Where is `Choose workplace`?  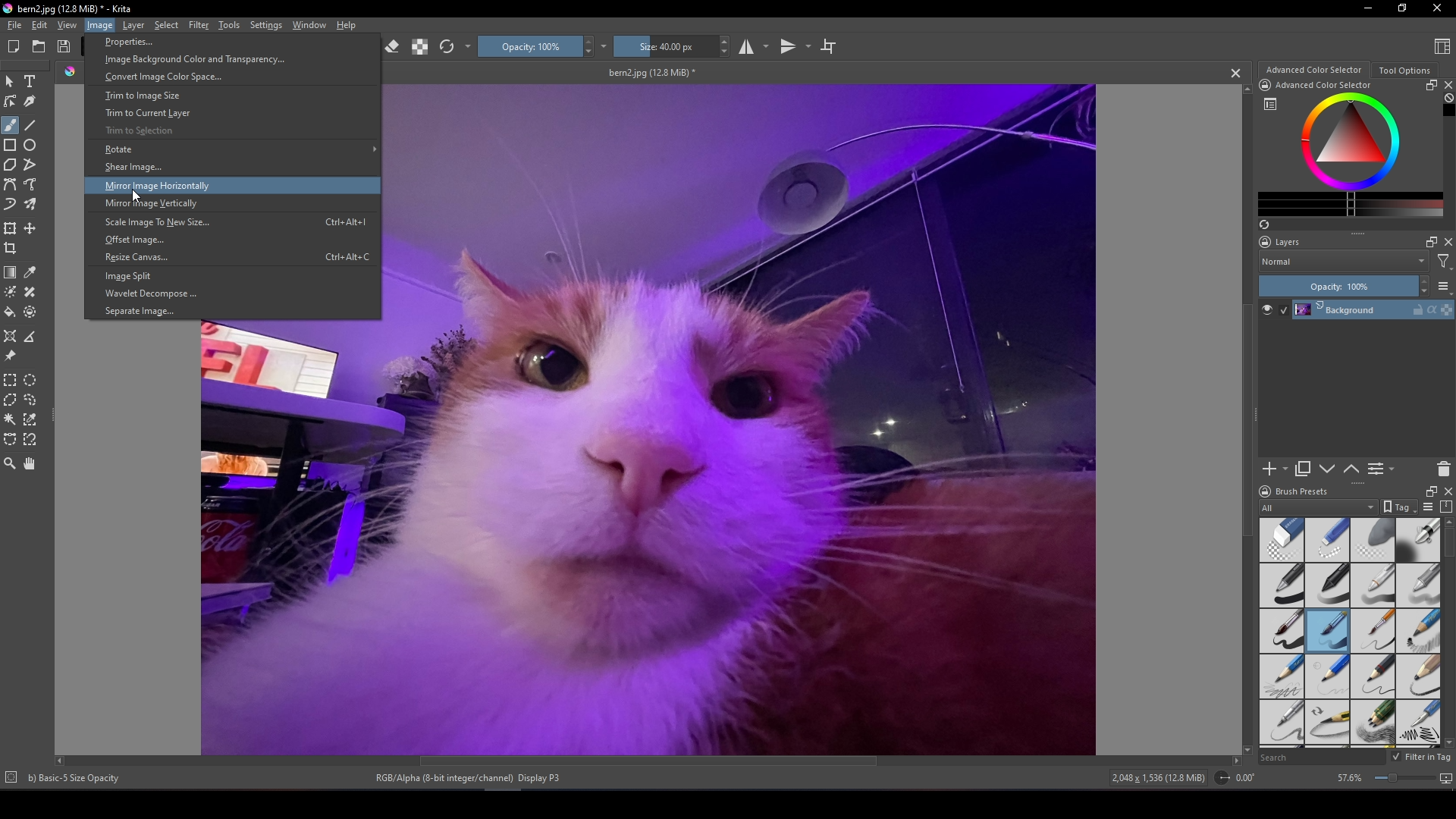 Choose workplace is located at coordinates (1441, 46).